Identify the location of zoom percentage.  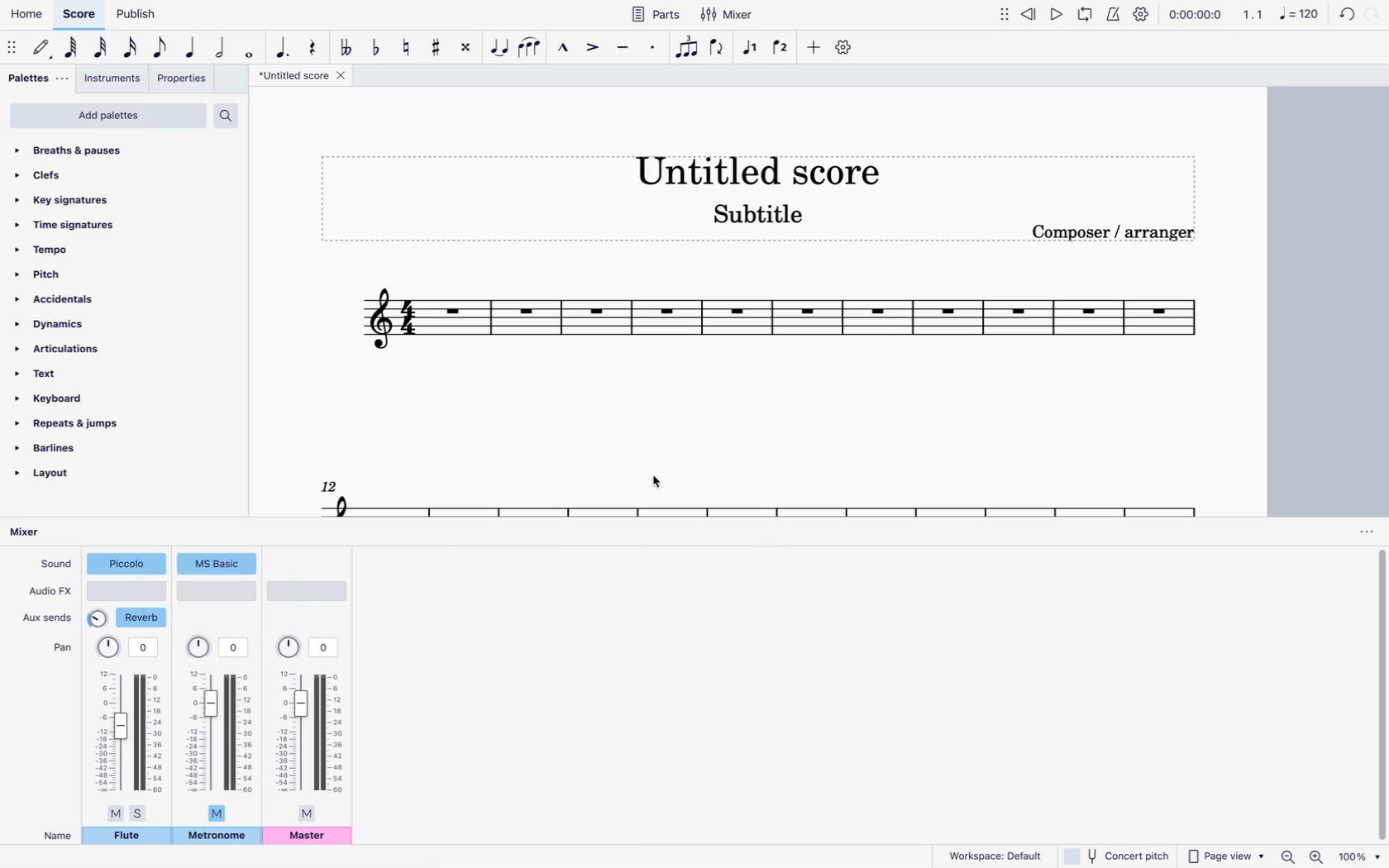
(1362, 856).